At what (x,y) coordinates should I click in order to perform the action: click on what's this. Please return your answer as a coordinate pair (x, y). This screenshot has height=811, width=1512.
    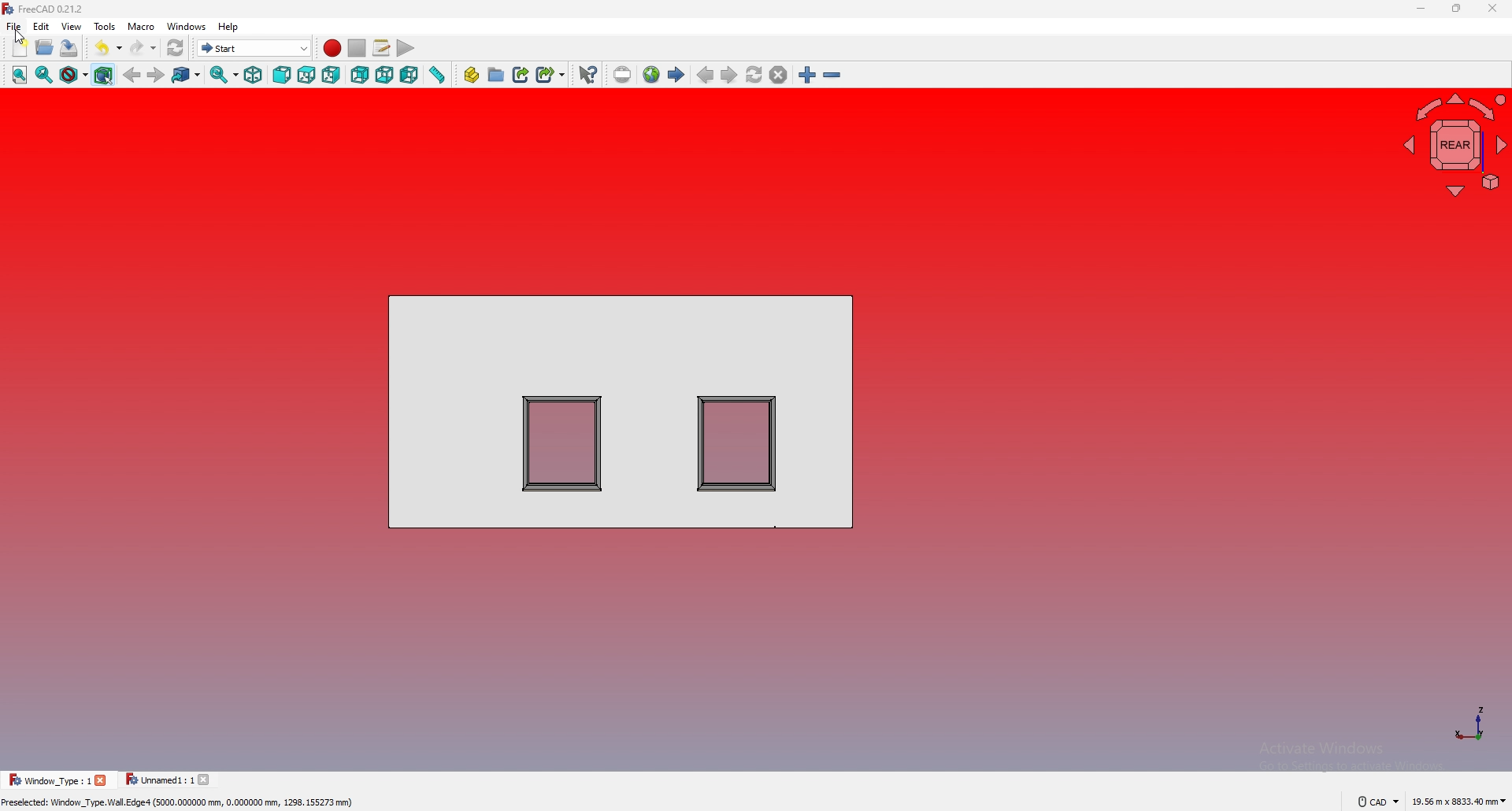
    Looking at the image, I should click on (587, 76).